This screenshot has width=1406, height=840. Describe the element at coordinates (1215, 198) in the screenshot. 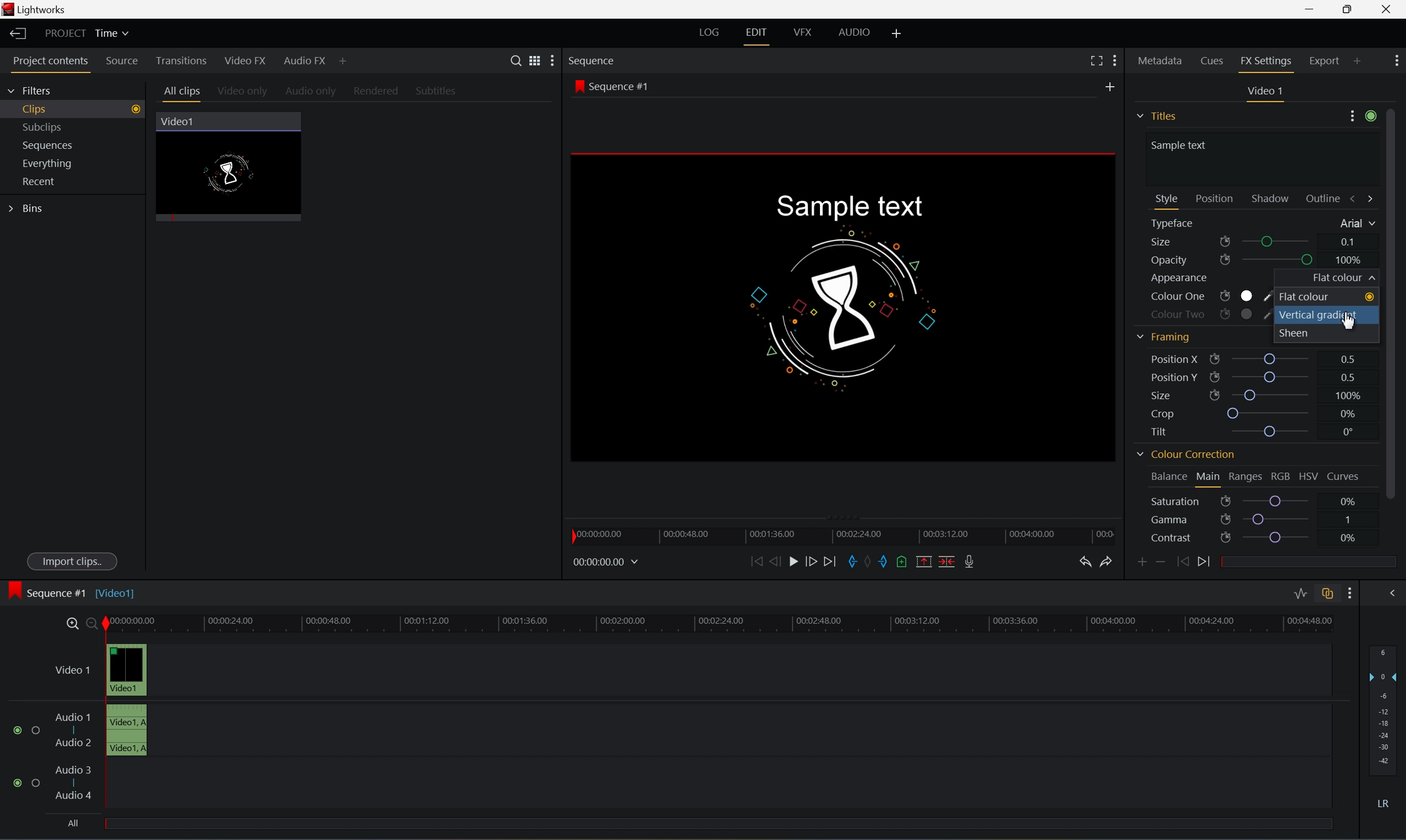

I see `position` at that location.